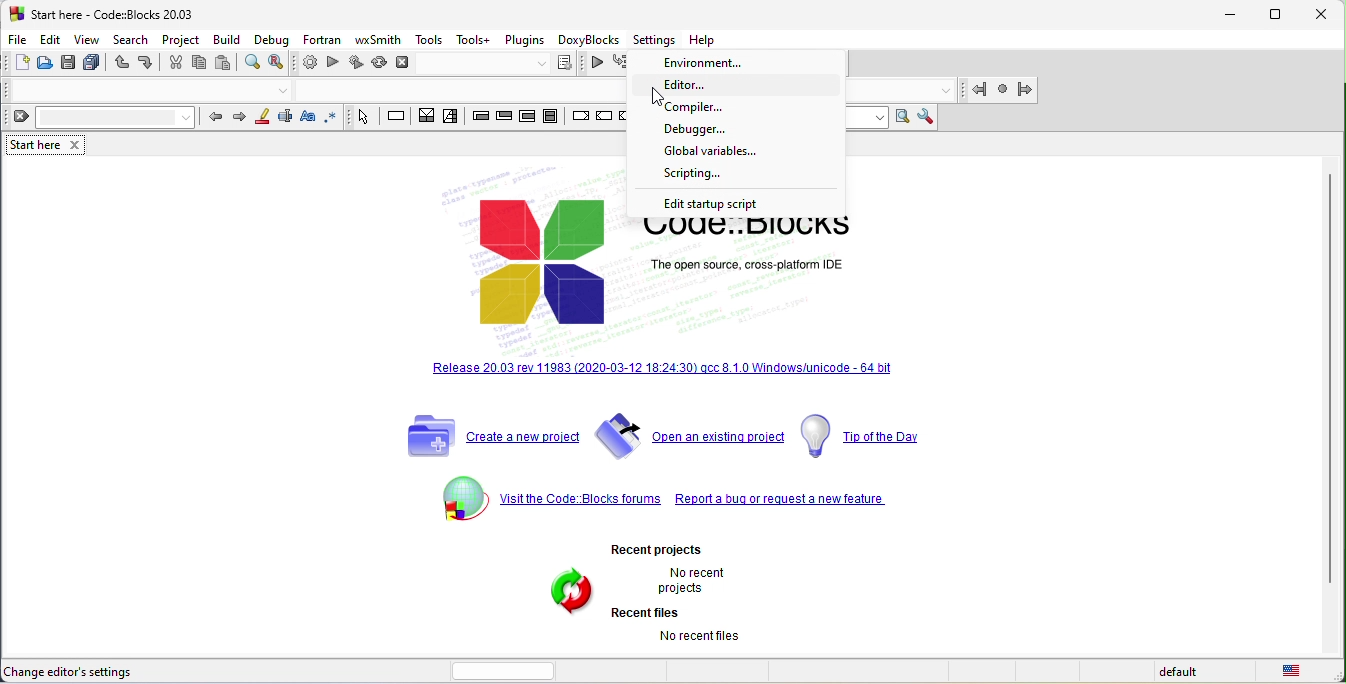 This screenshot has height=684, width=1346. I want to click on instruction, so click(398, 117).